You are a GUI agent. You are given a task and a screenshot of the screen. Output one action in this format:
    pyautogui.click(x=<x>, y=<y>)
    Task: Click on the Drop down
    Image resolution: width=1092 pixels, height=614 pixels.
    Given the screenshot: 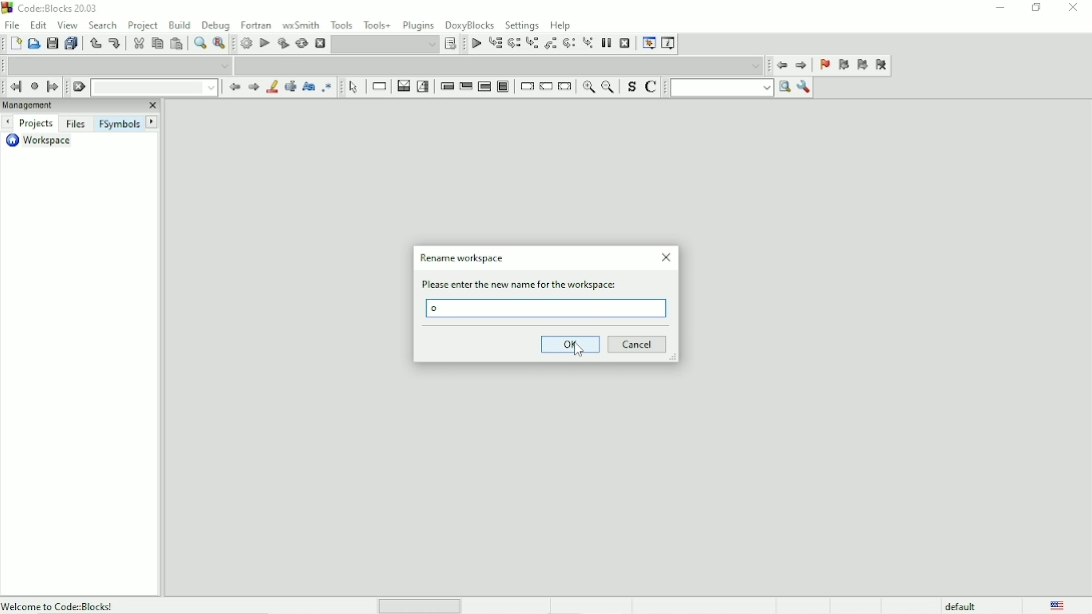 What is the action you would take?
    pyautogui.click(x=157, y=88)
    